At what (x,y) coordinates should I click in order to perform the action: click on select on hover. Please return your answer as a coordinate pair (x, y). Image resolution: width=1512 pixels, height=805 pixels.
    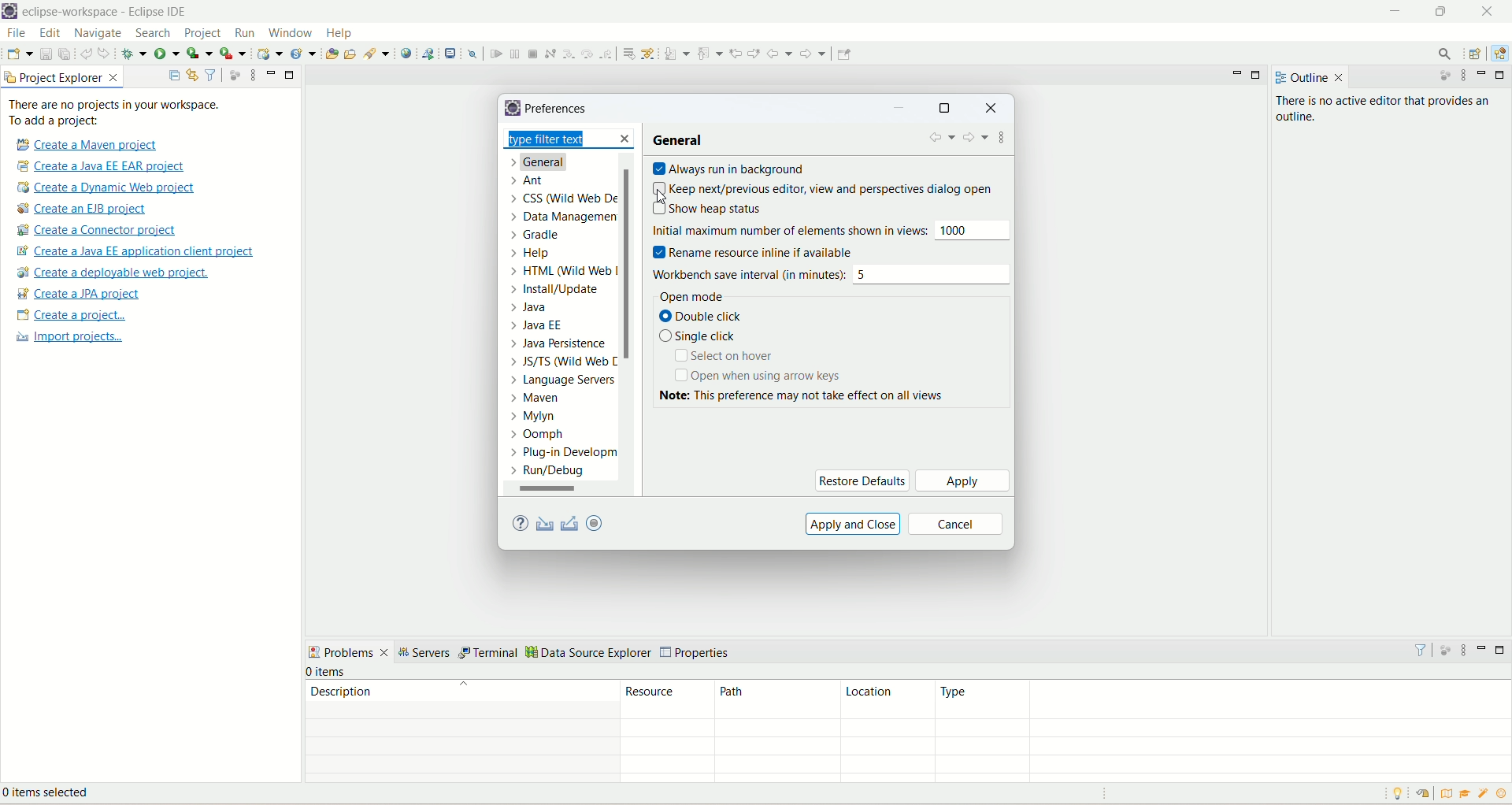
    Looking at the image, I should click on (728, 358).